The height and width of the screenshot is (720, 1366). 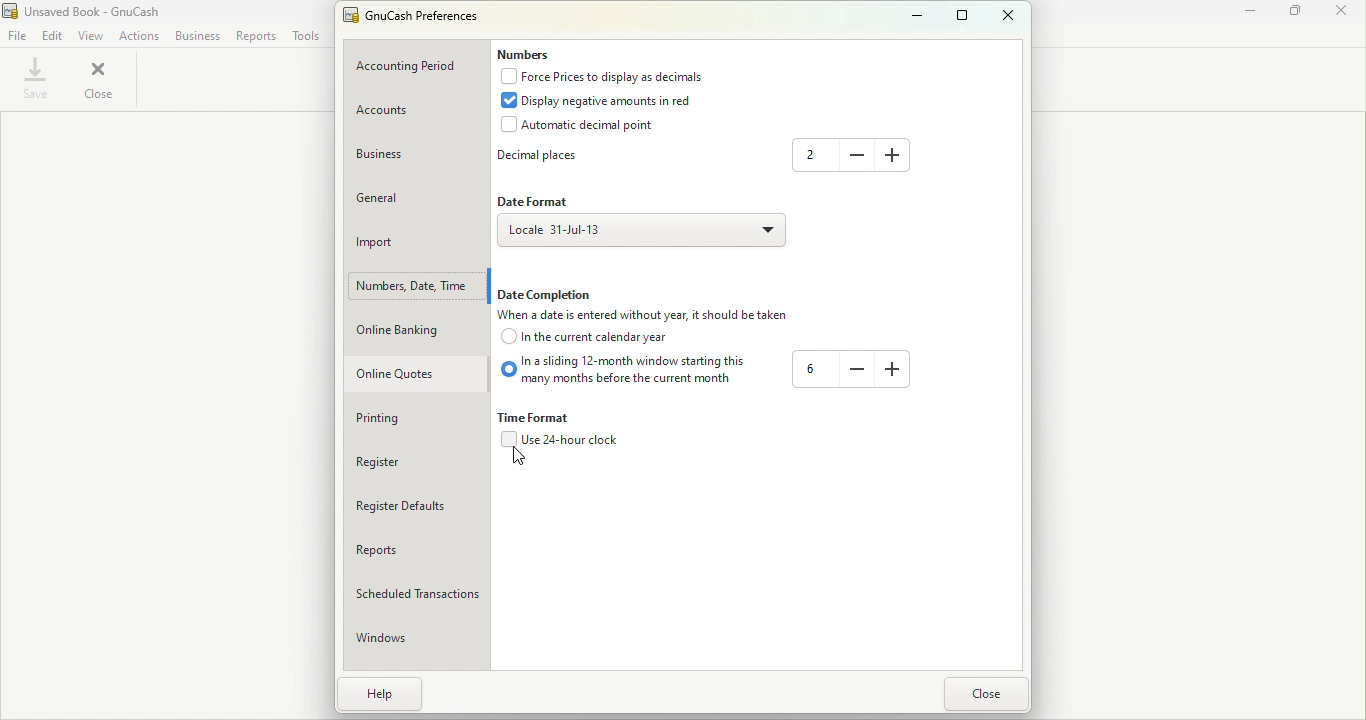 What do you see at coordinates (852, 370) in the screenshot?
I see `-` at bounding box center [852, 370].